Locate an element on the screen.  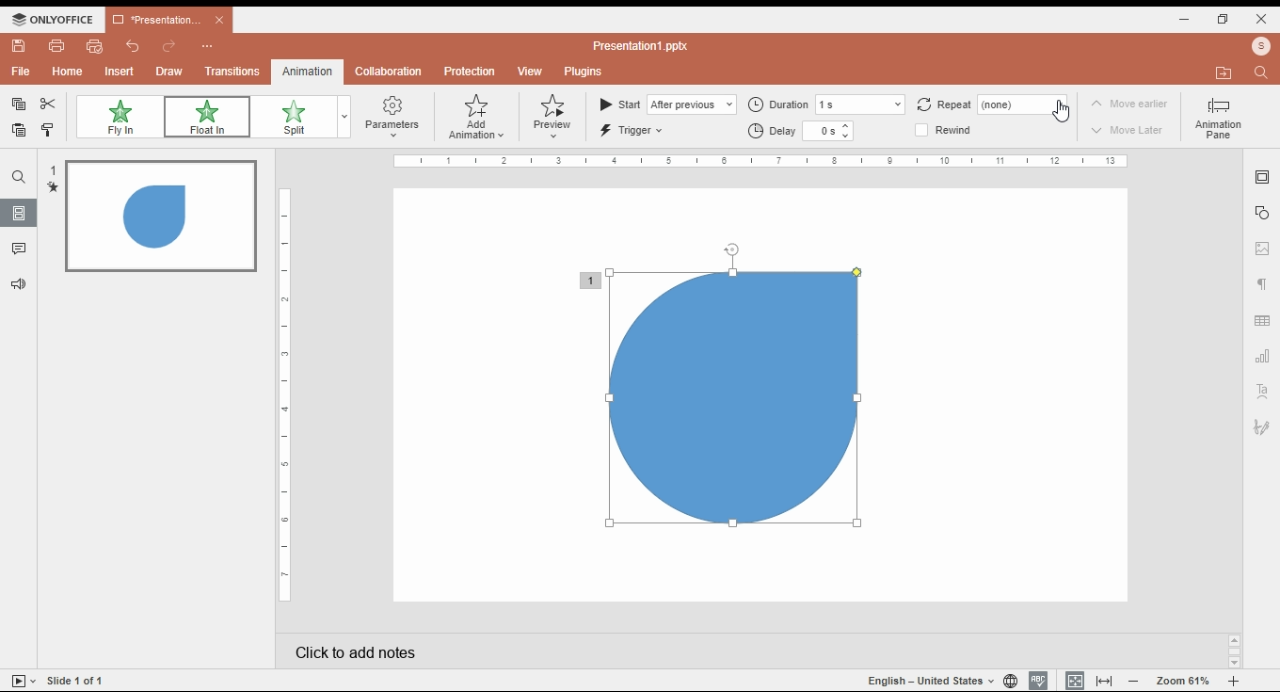
more is located at coordinates (207, 44).